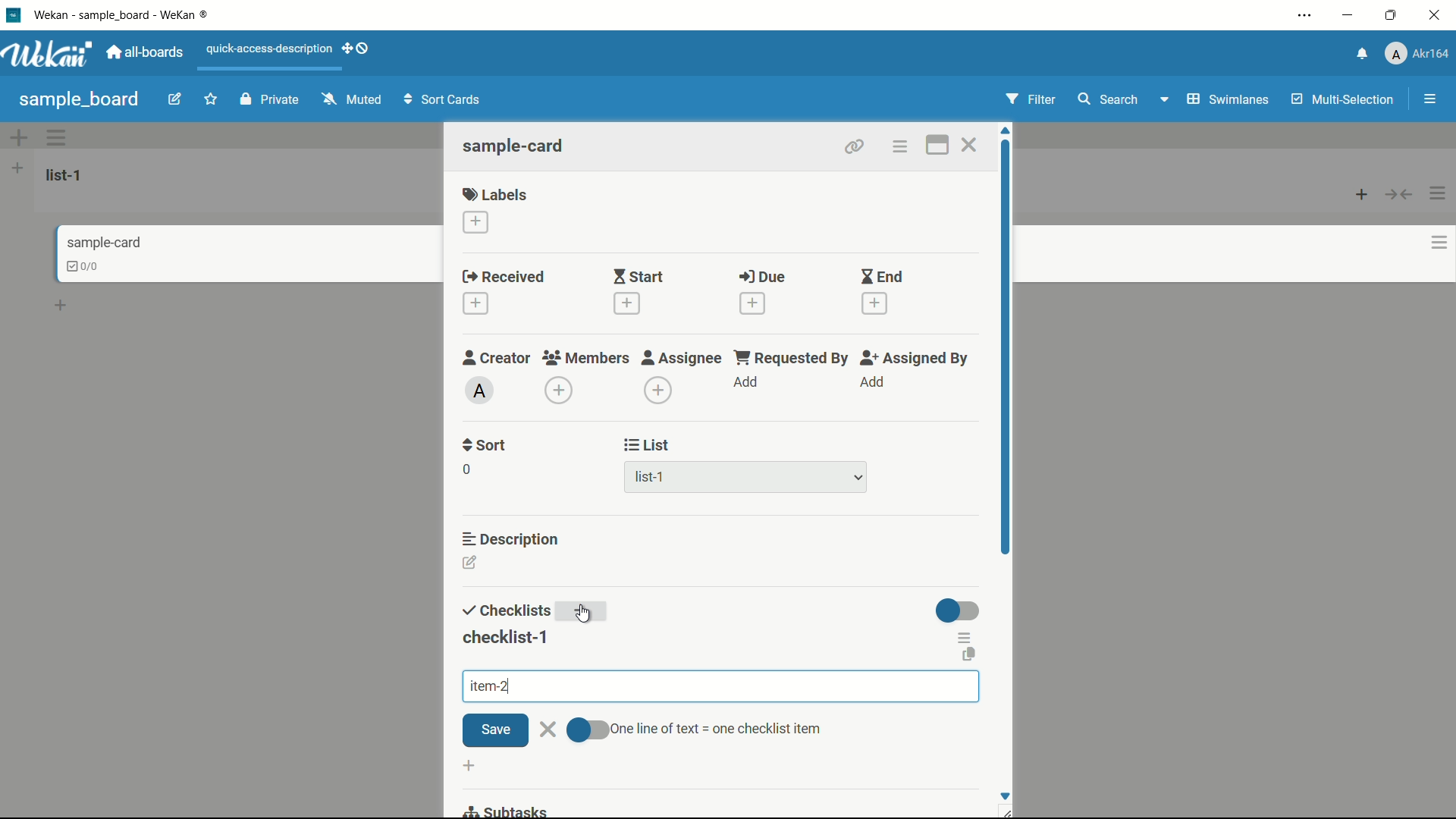 Image resolution: width=1456 pixels, height=819 pixels. Describe the element at coordinates (270, 101) in the screenshot. I see `private` at that location.